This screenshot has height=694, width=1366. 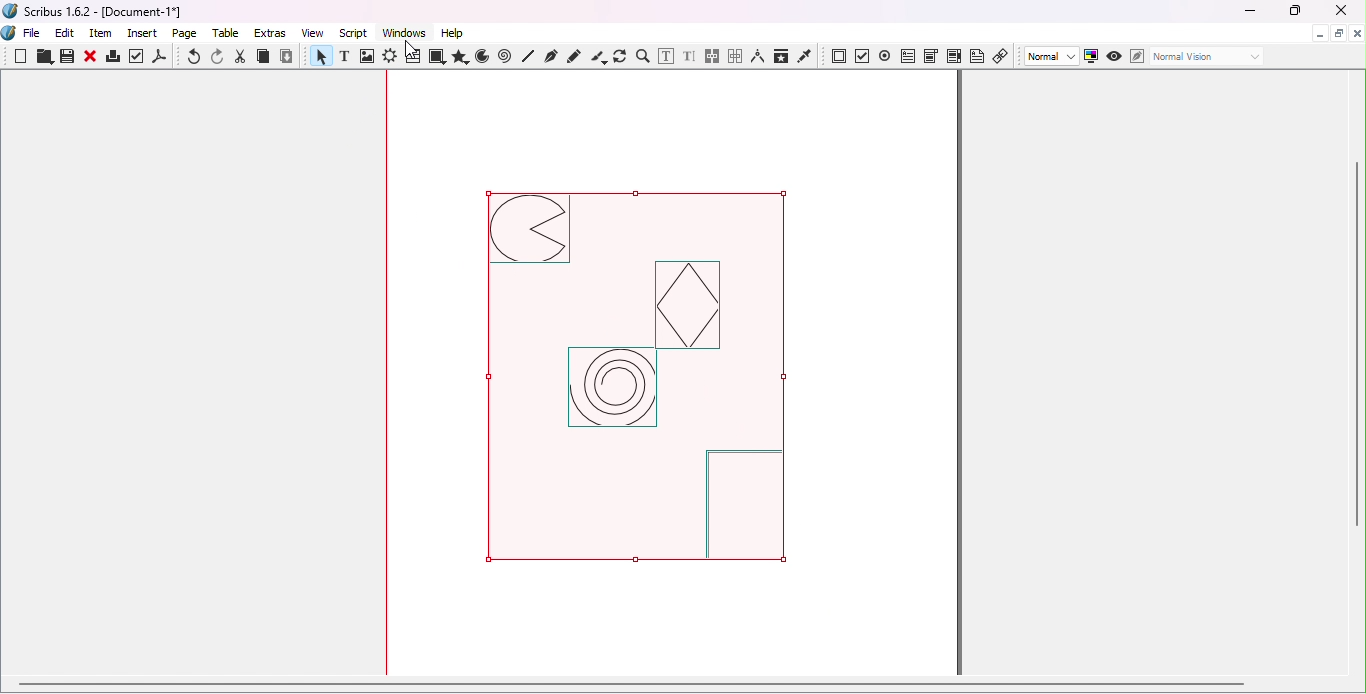 I want to click on save as PDF, so click(x=161, y=59).